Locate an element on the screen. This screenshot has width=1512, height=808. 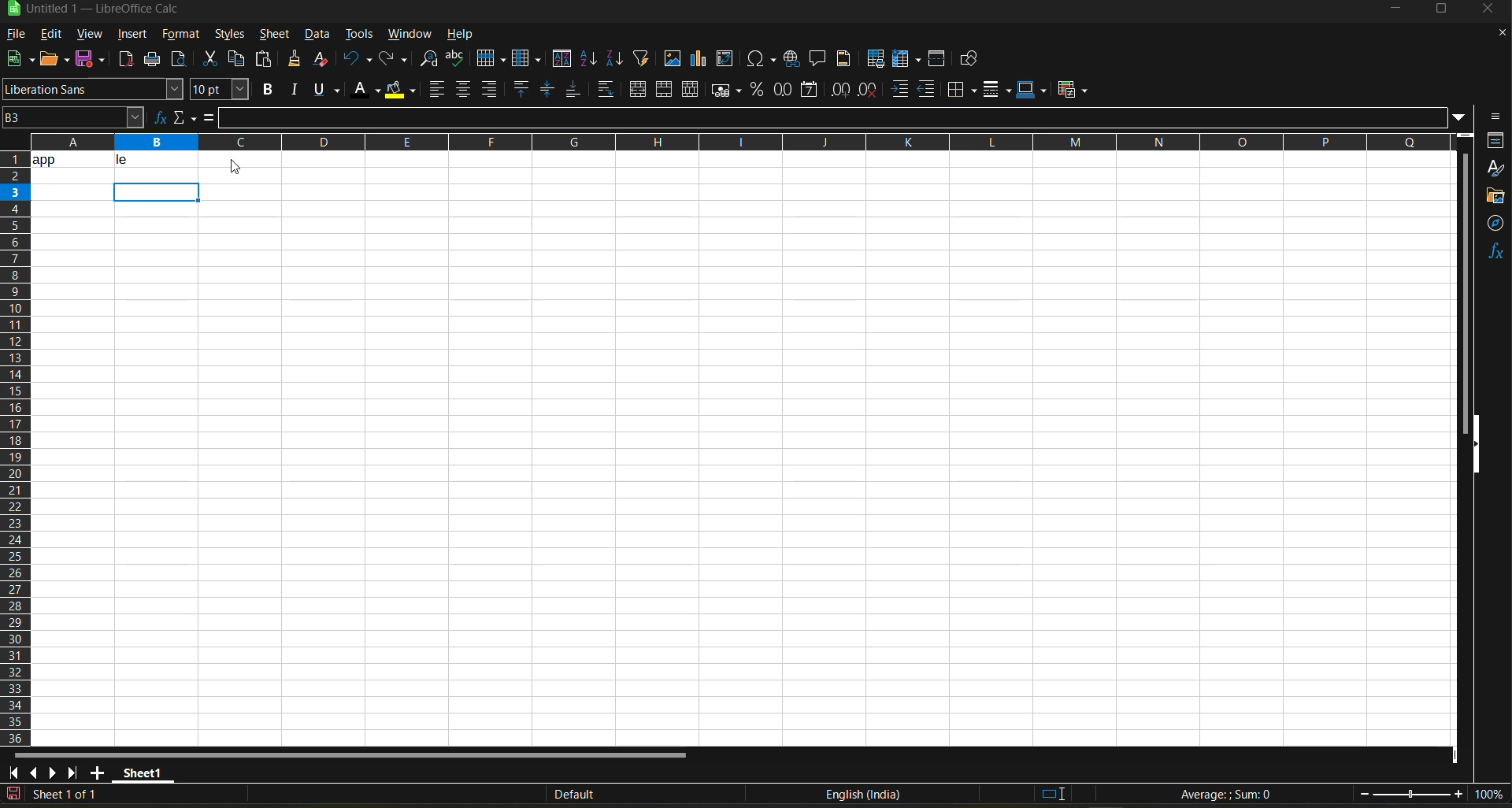
horizontal scroll bar is located at coordinates (349, 755).